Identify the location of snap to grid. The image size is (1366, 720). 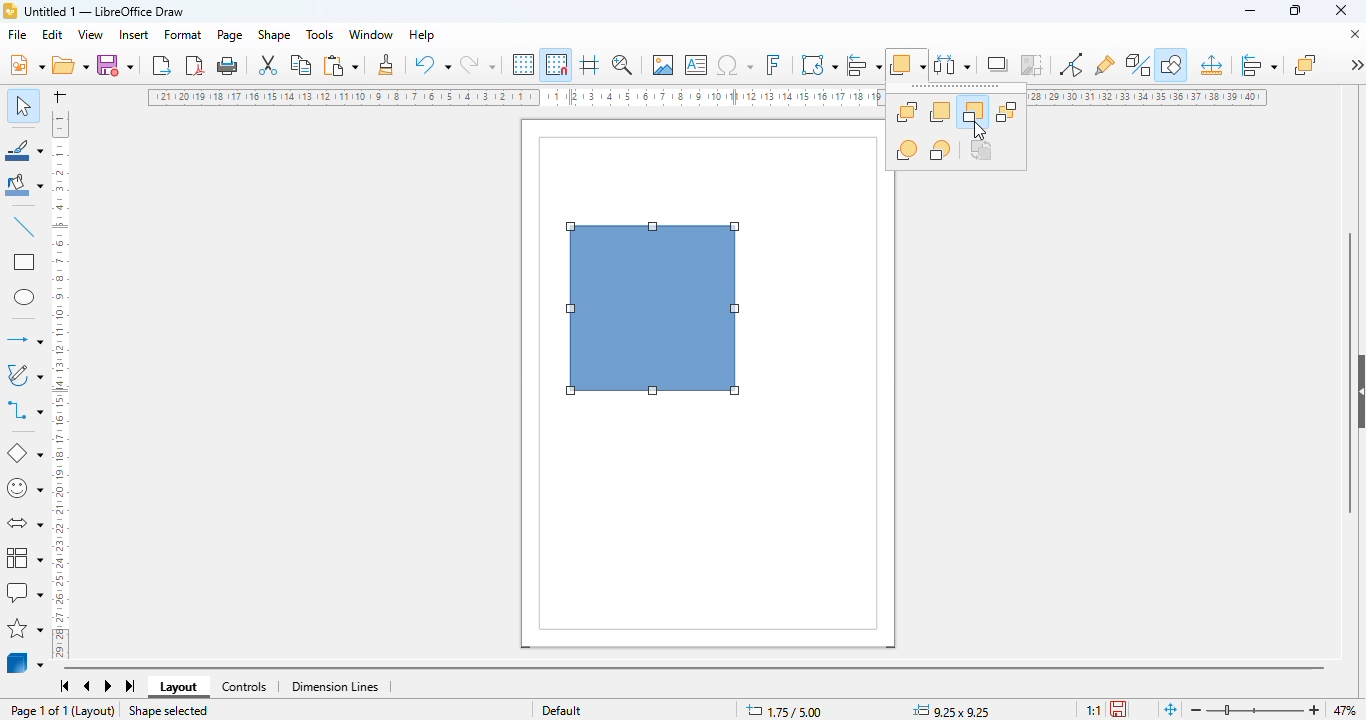
(556, 64).